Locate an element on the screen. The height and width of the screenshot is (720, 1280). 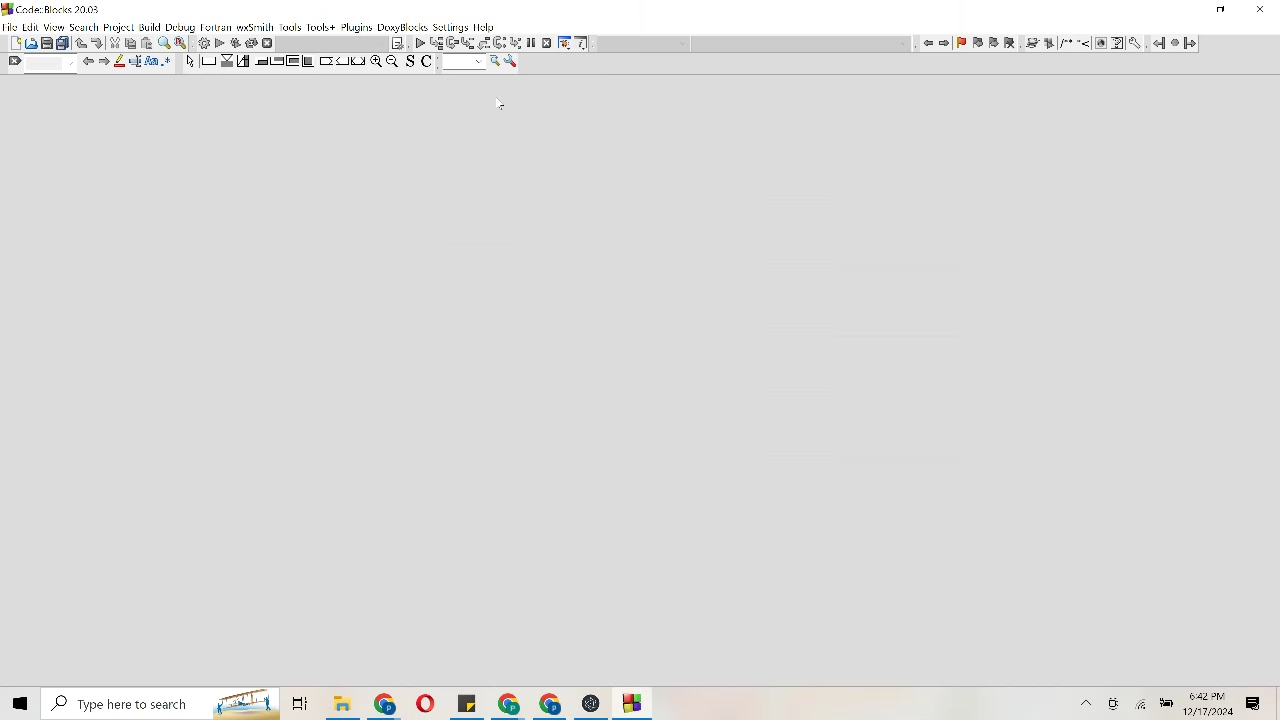
Go Back is located at coordinates (1157, 43).